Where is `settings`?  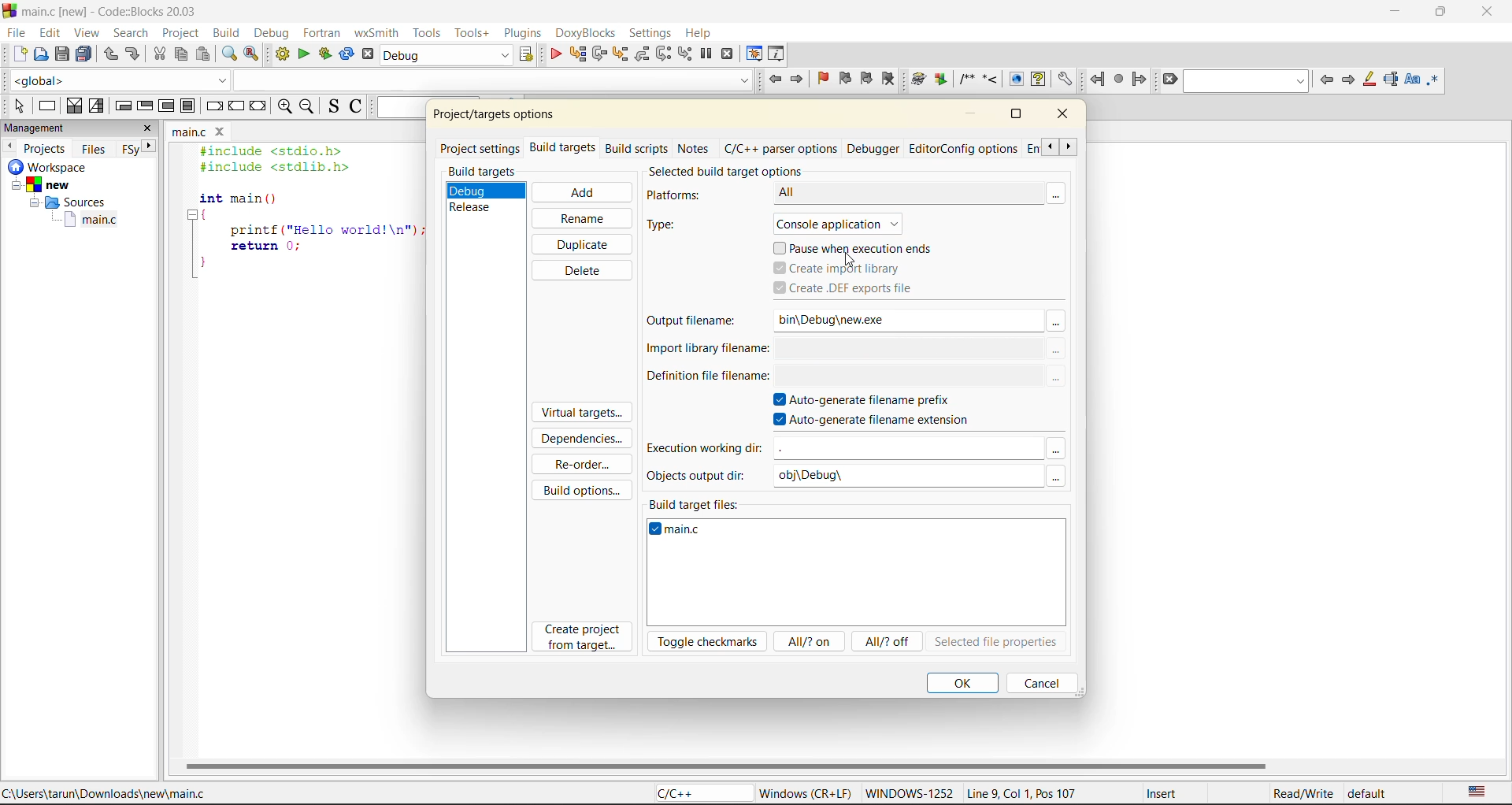
settings is located at coordinates (651, 34).